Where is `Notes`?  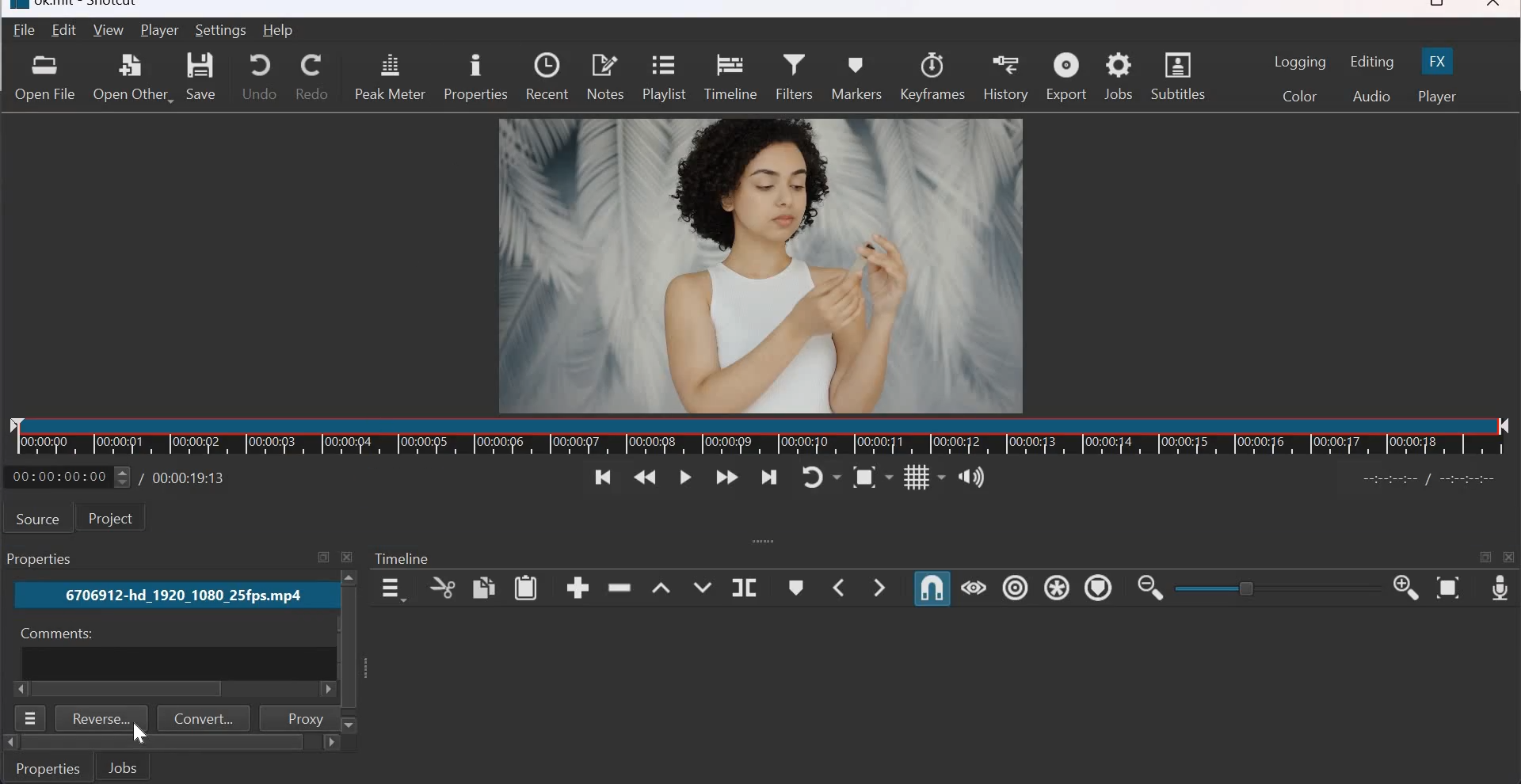
Notes is located at coordinates (606, 77).